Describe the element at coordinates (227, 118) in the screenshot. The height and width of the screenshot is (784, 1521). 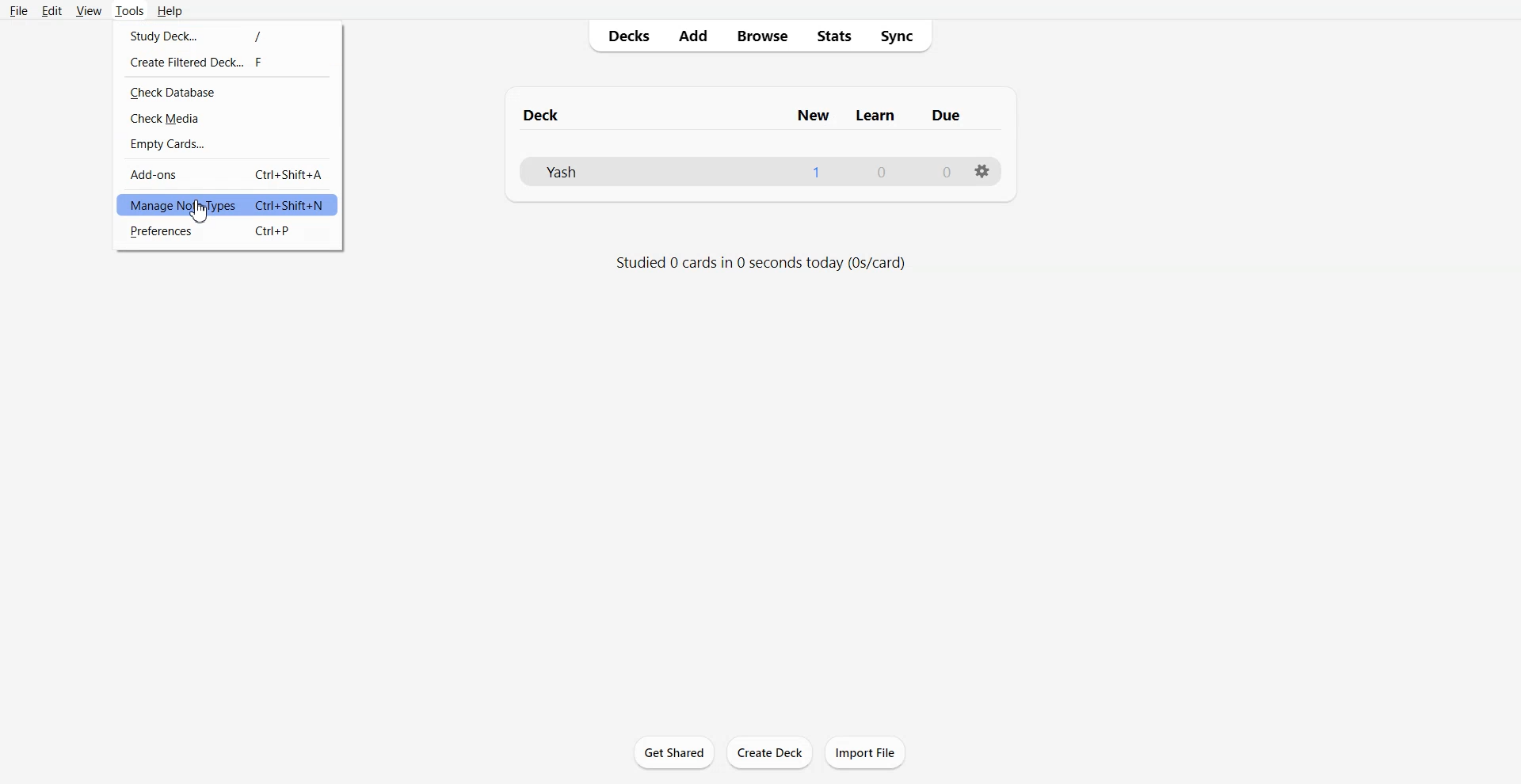
I see `Check Media` at that location.